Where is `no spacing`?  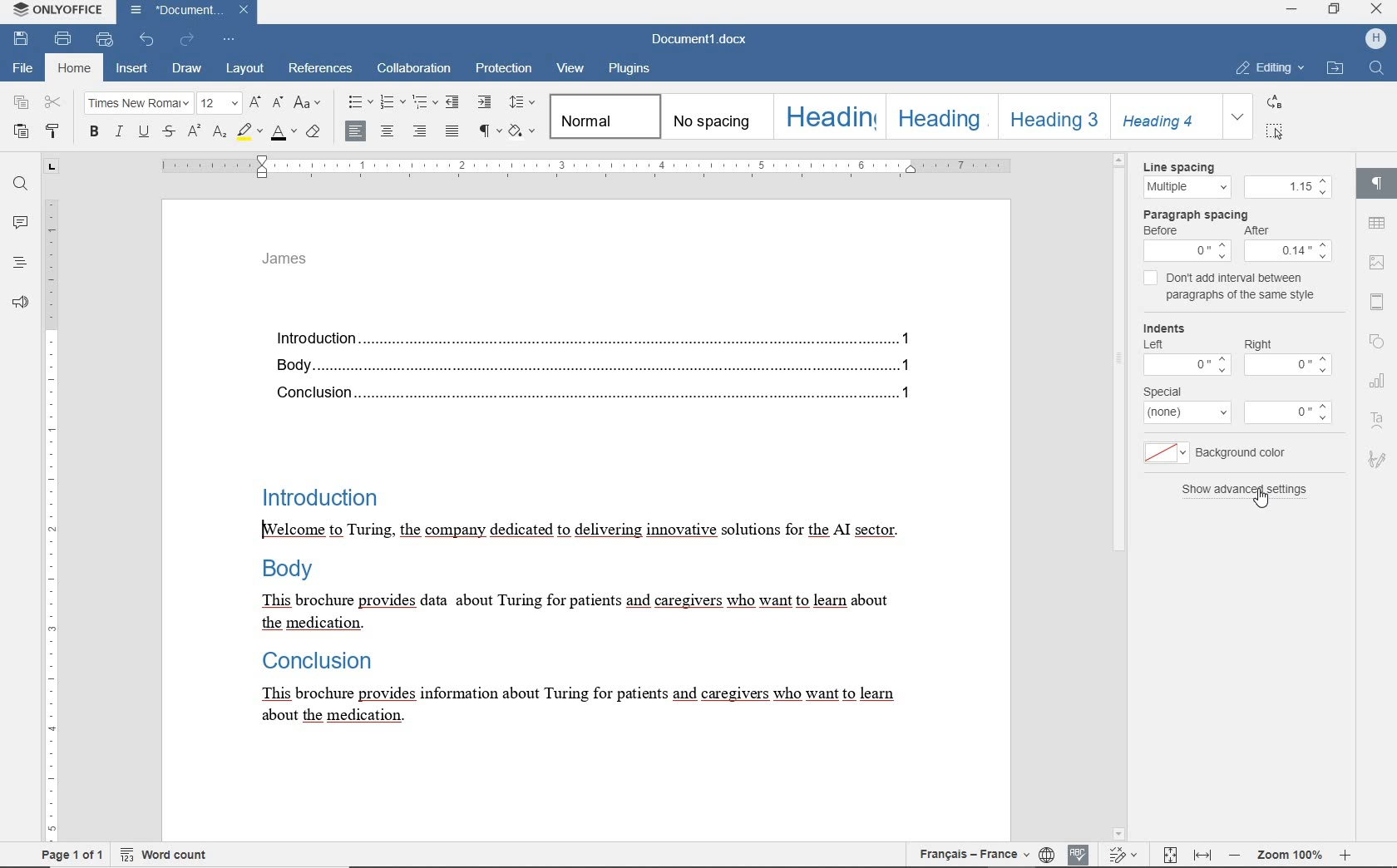
no spacing is located at coordinates (713, 117).